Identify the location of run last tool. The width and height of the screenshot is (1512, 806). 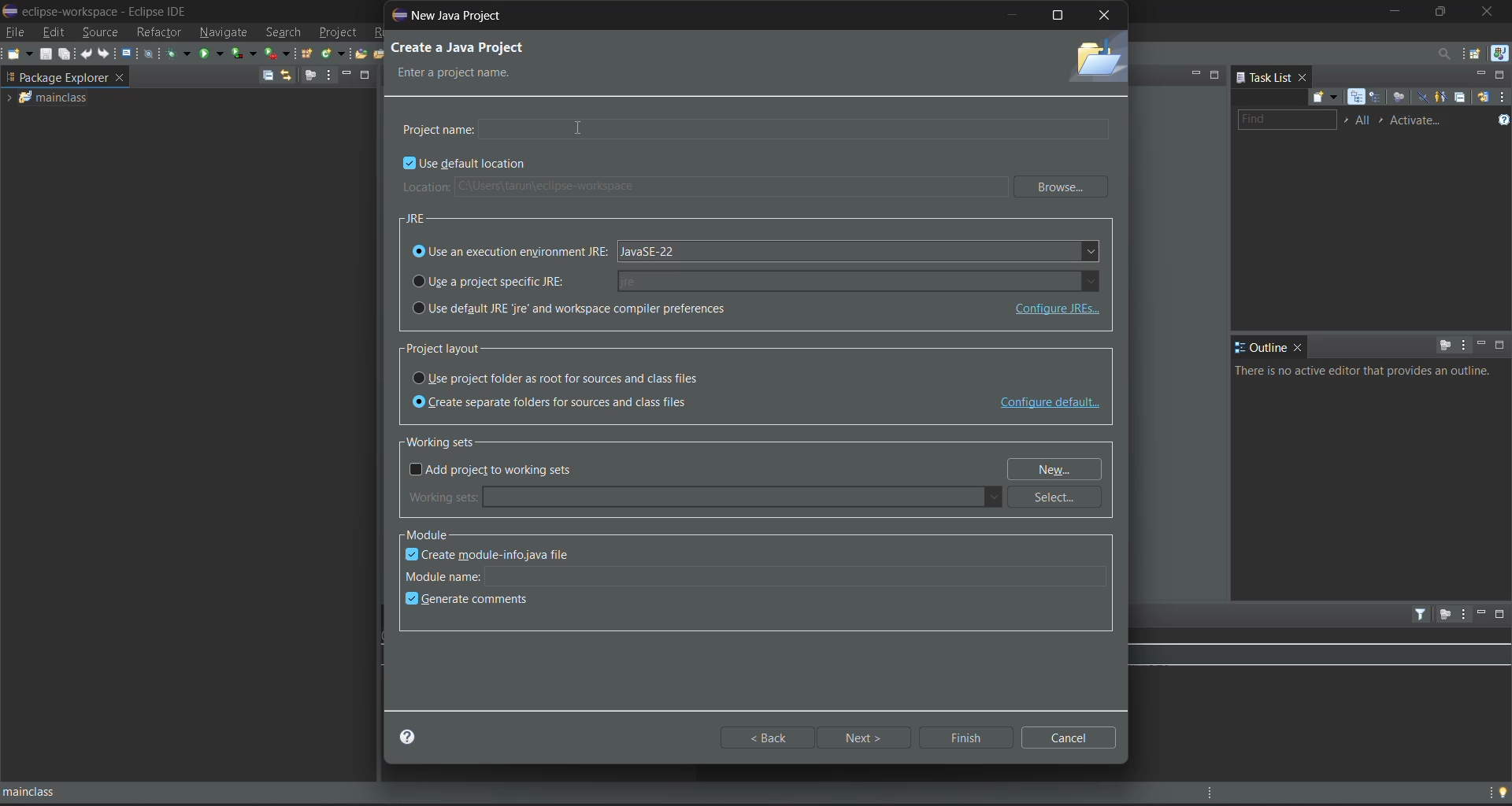
(276, 53).